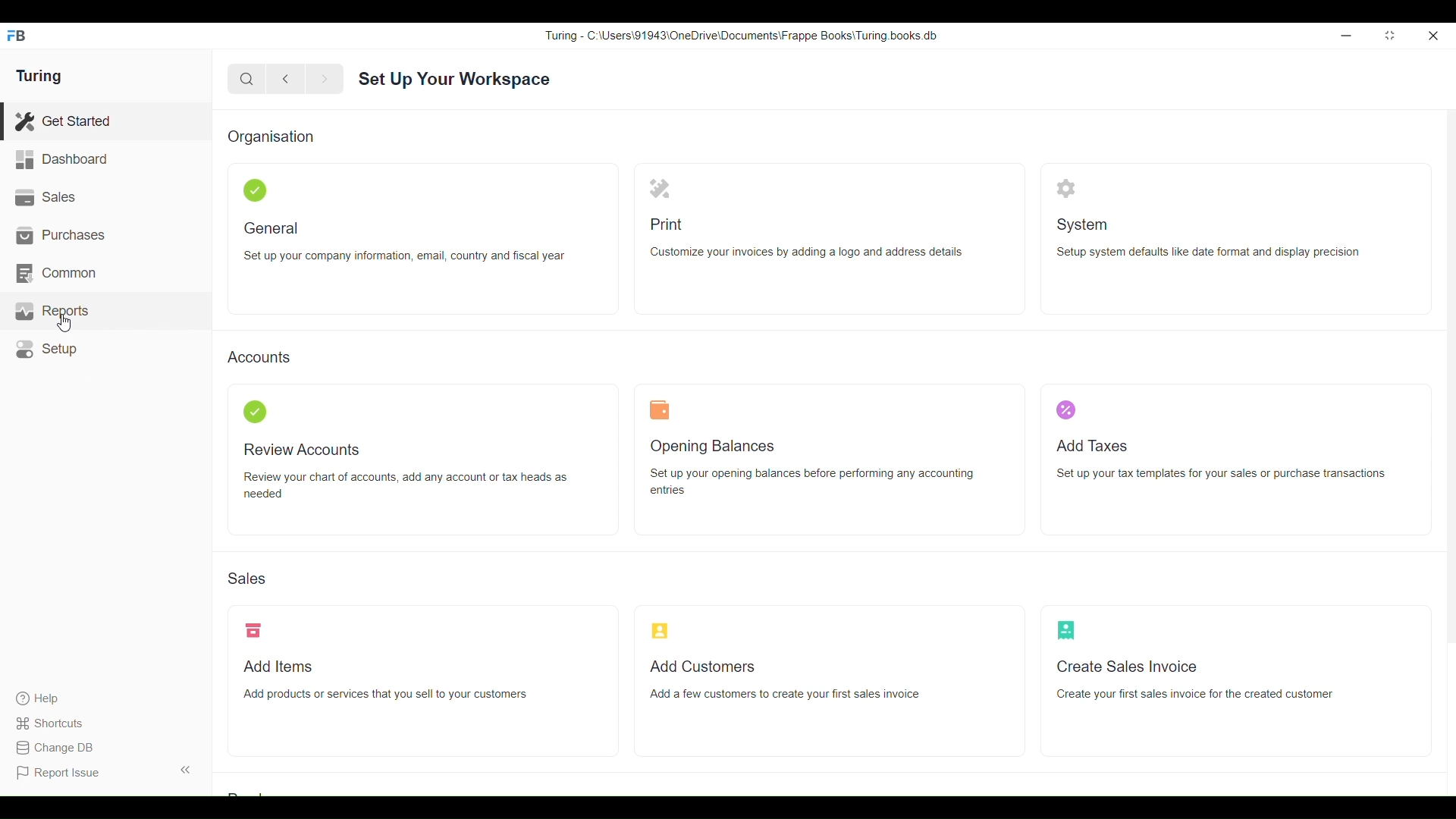 The width and height of the screenshot is (1456, 819). Describe the element at coordinates (406, 242) in the screenshot. I see `General
Set up your company information, email, country and fiscal year` at that location.